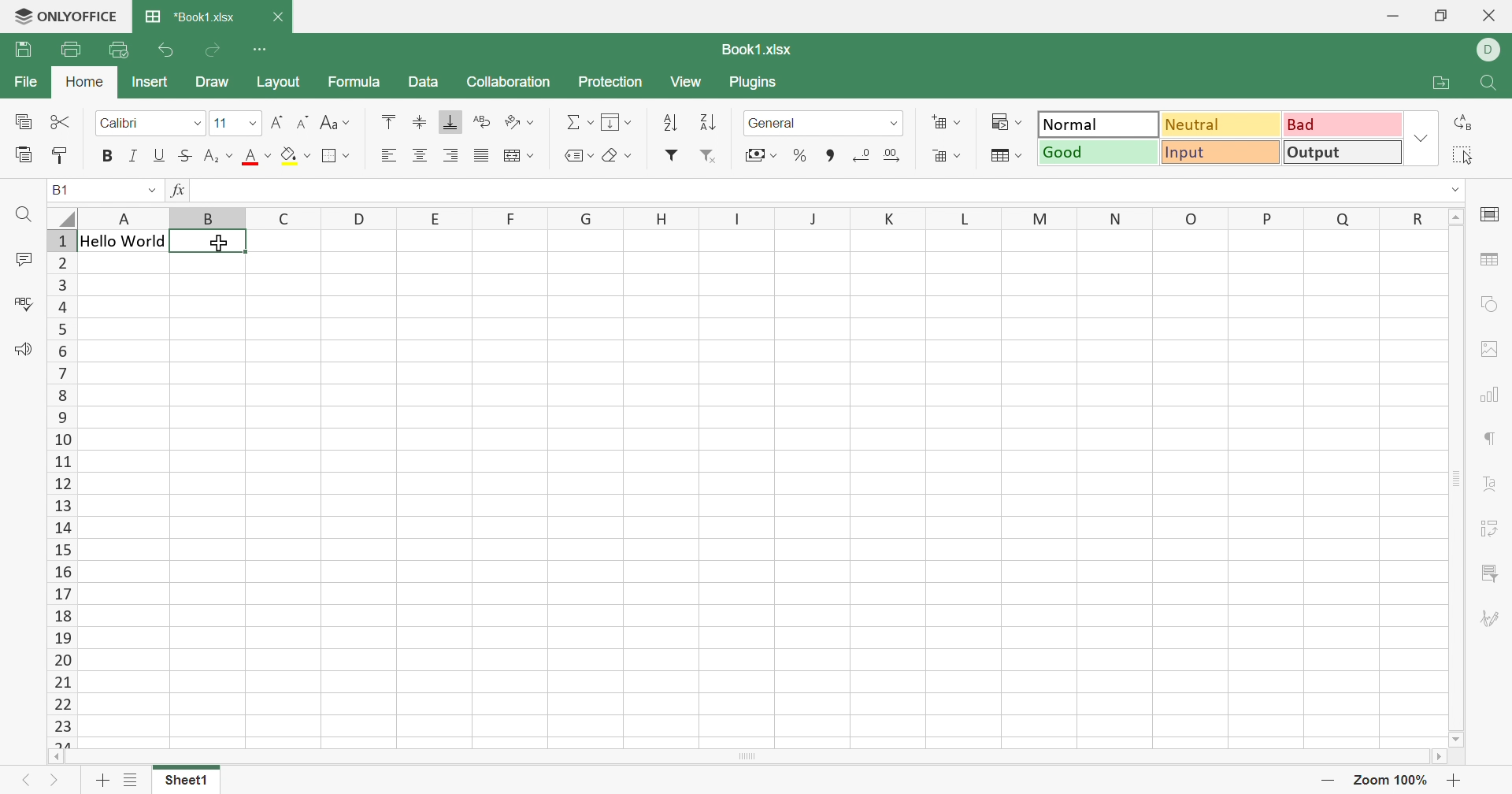  What do you see at coordinates (234, 124) in the screenshot?
I see `Font size` at bounding box center [234, 124].